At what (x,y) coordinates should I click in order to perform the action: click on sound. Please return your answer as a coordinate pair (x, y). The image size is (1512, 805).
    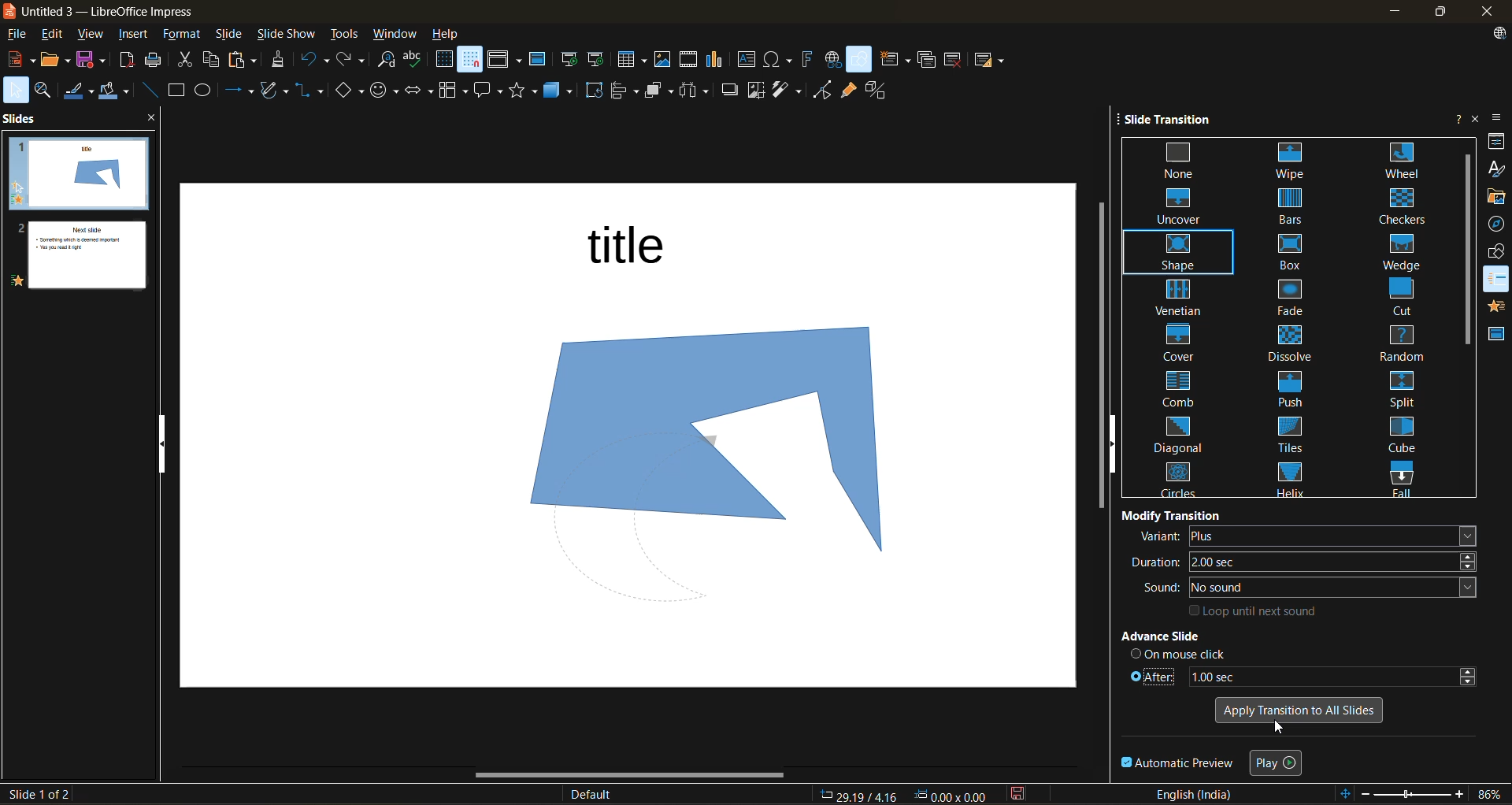
    Looking at the image, I should click on (1313, 588).